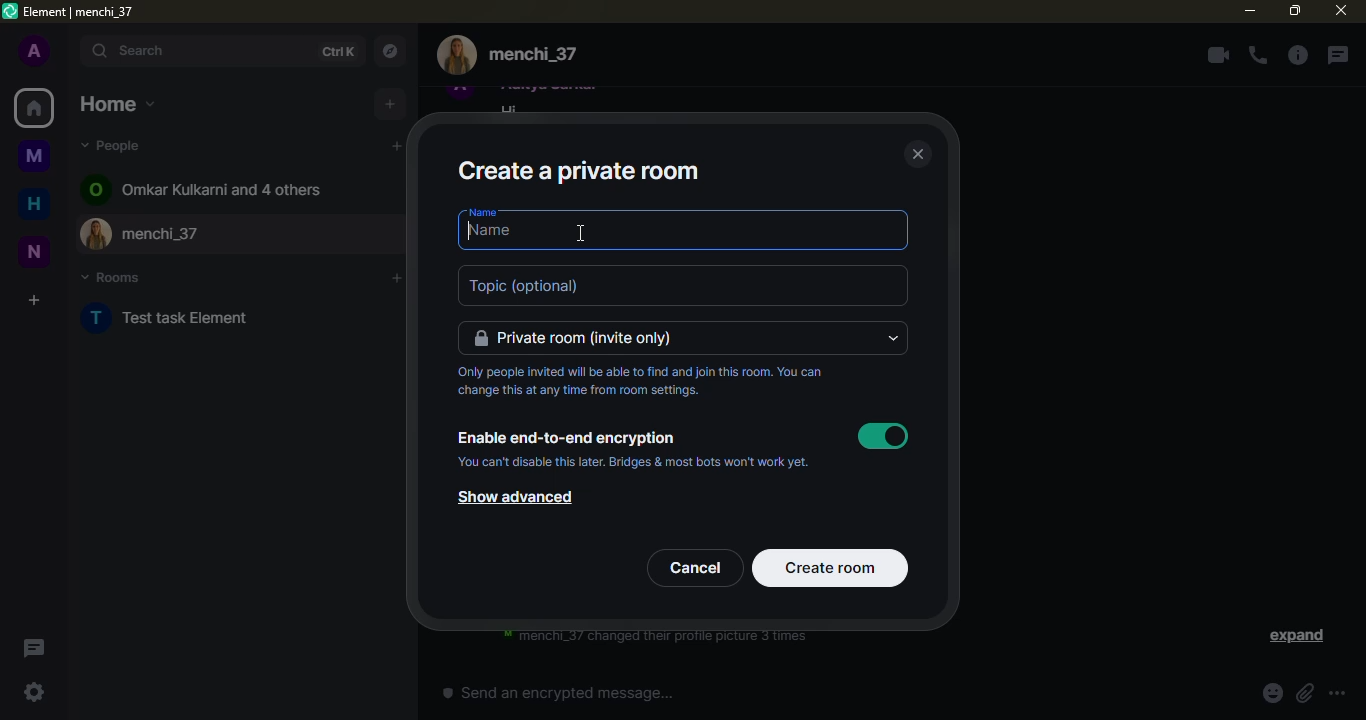 The width and height of the screenshot is (1366, 720). I want to click on Only people invited will be able to find and join this room. You can
change this at any time from room settings., so click(639, 381).